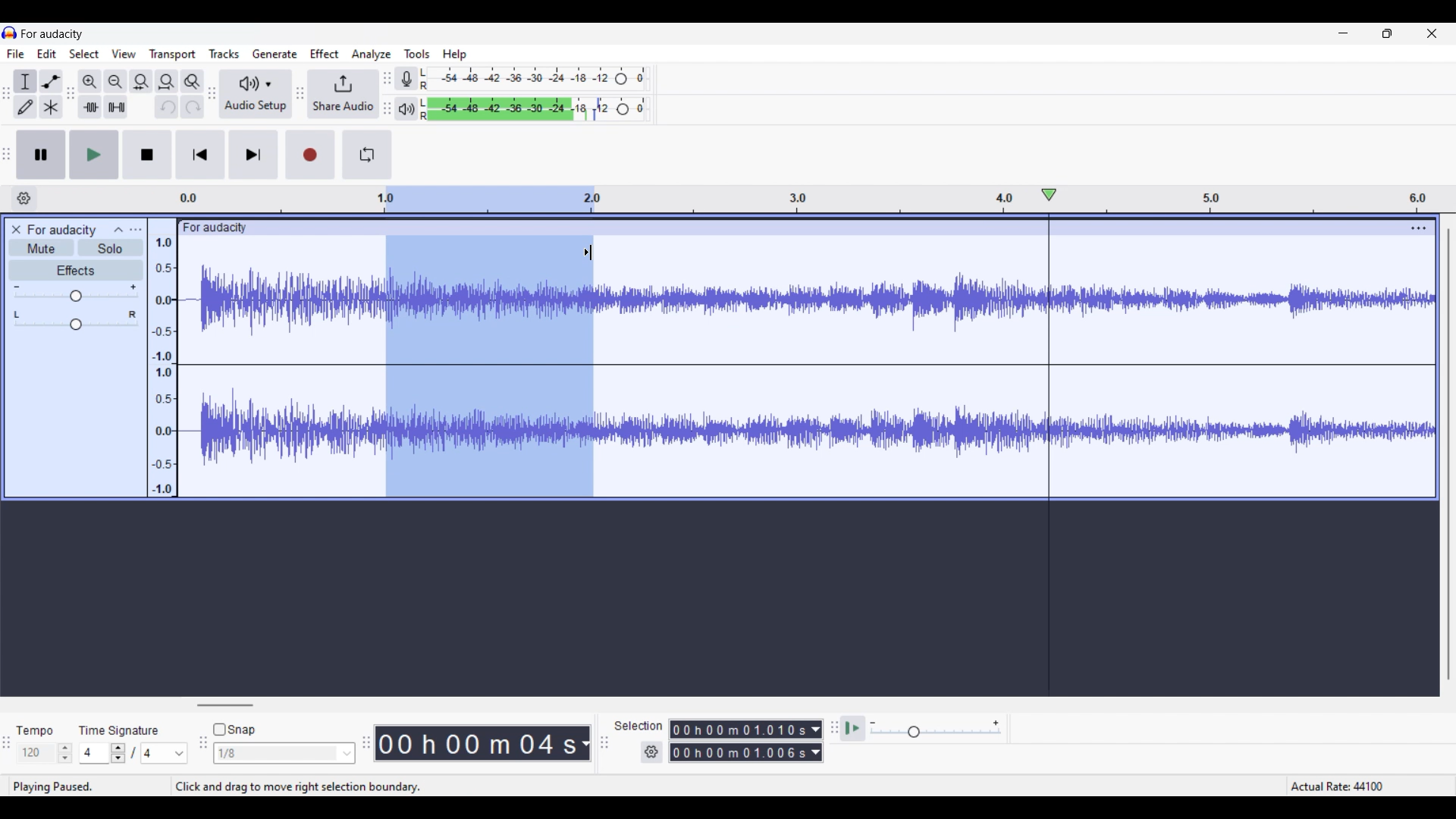 The height and width of the screenshot is (819, 1456). What do you see at coordinates (26, 107) in the screenshot?
I see `Draw tool` at bounding box center [26, 107].